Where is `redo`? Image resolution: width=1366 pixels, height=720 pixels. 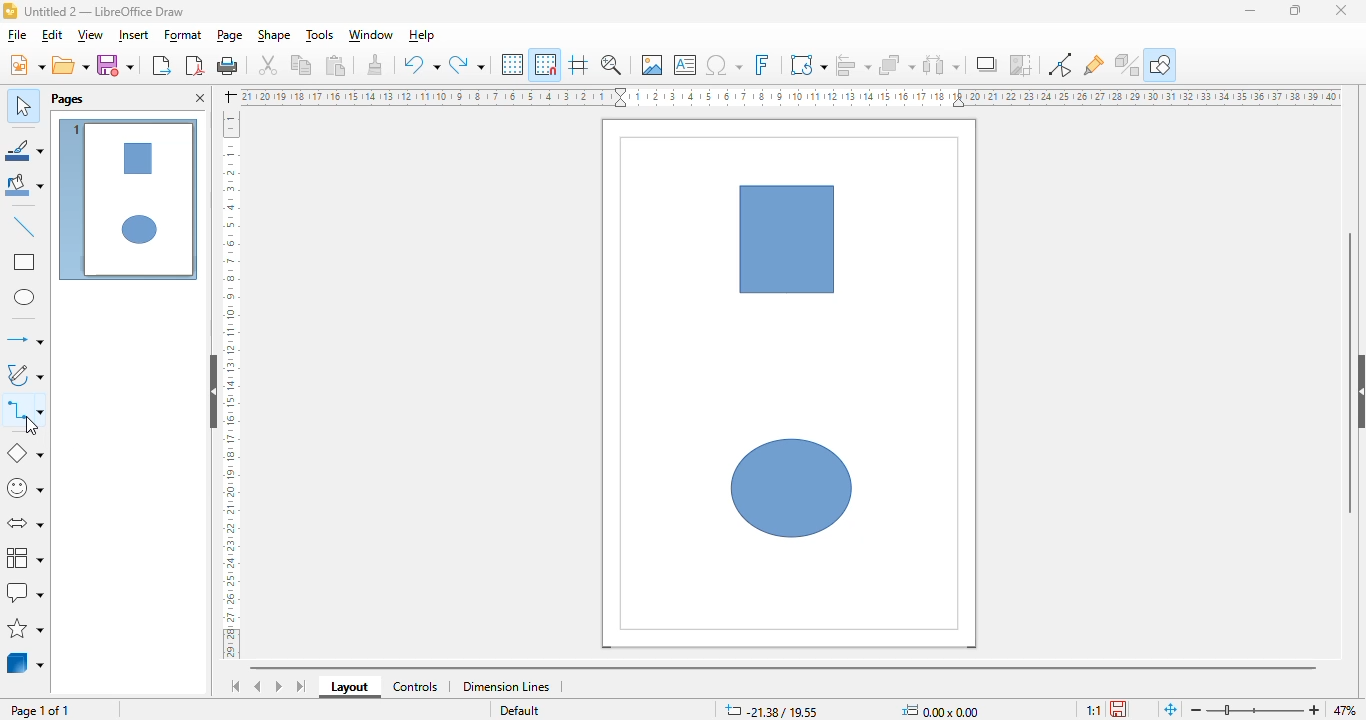 redo is located at coordinates (466, 66).